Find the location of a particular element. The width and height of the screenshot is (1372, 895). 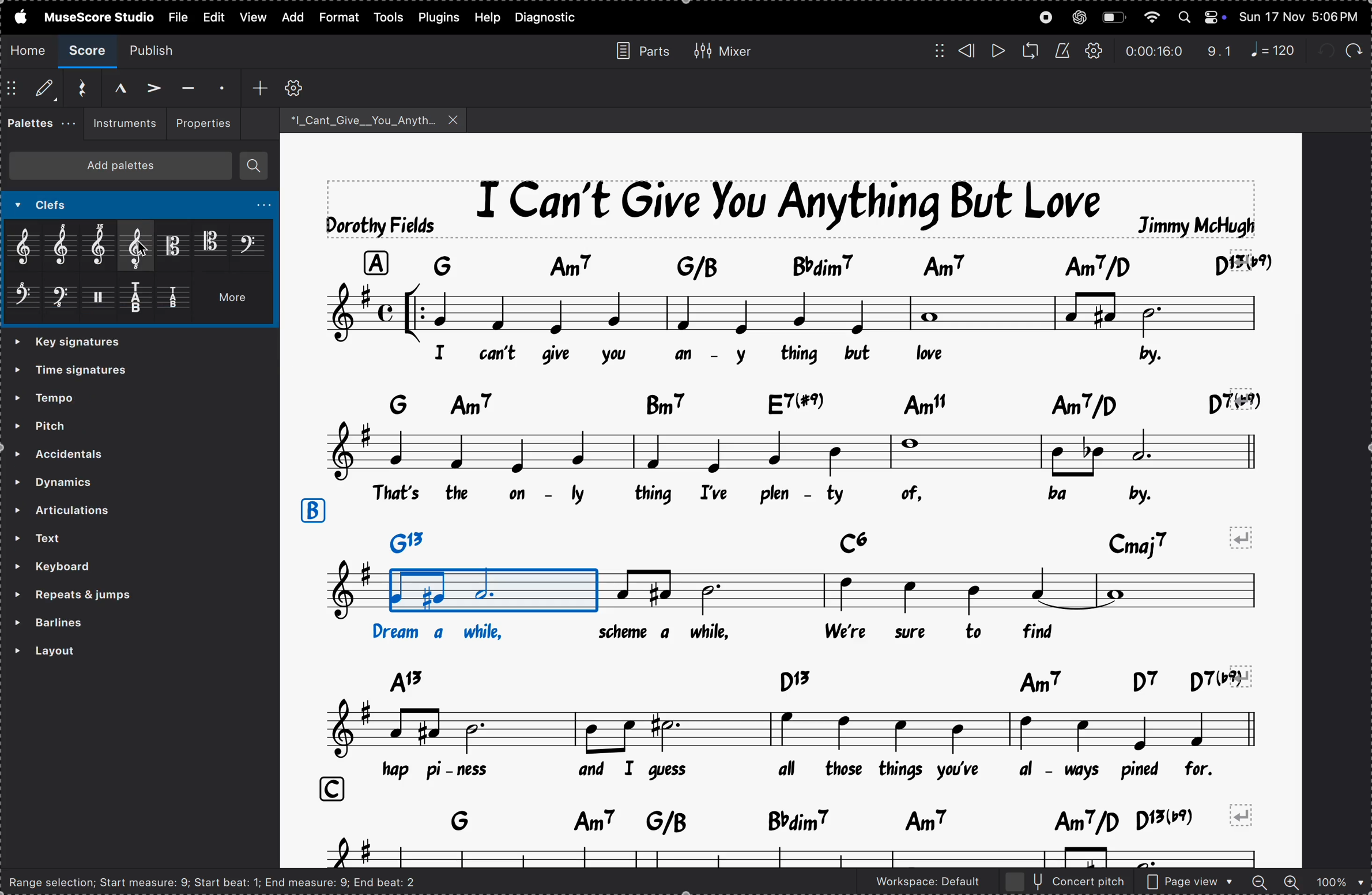

properties is located at coordinates (202, 122).